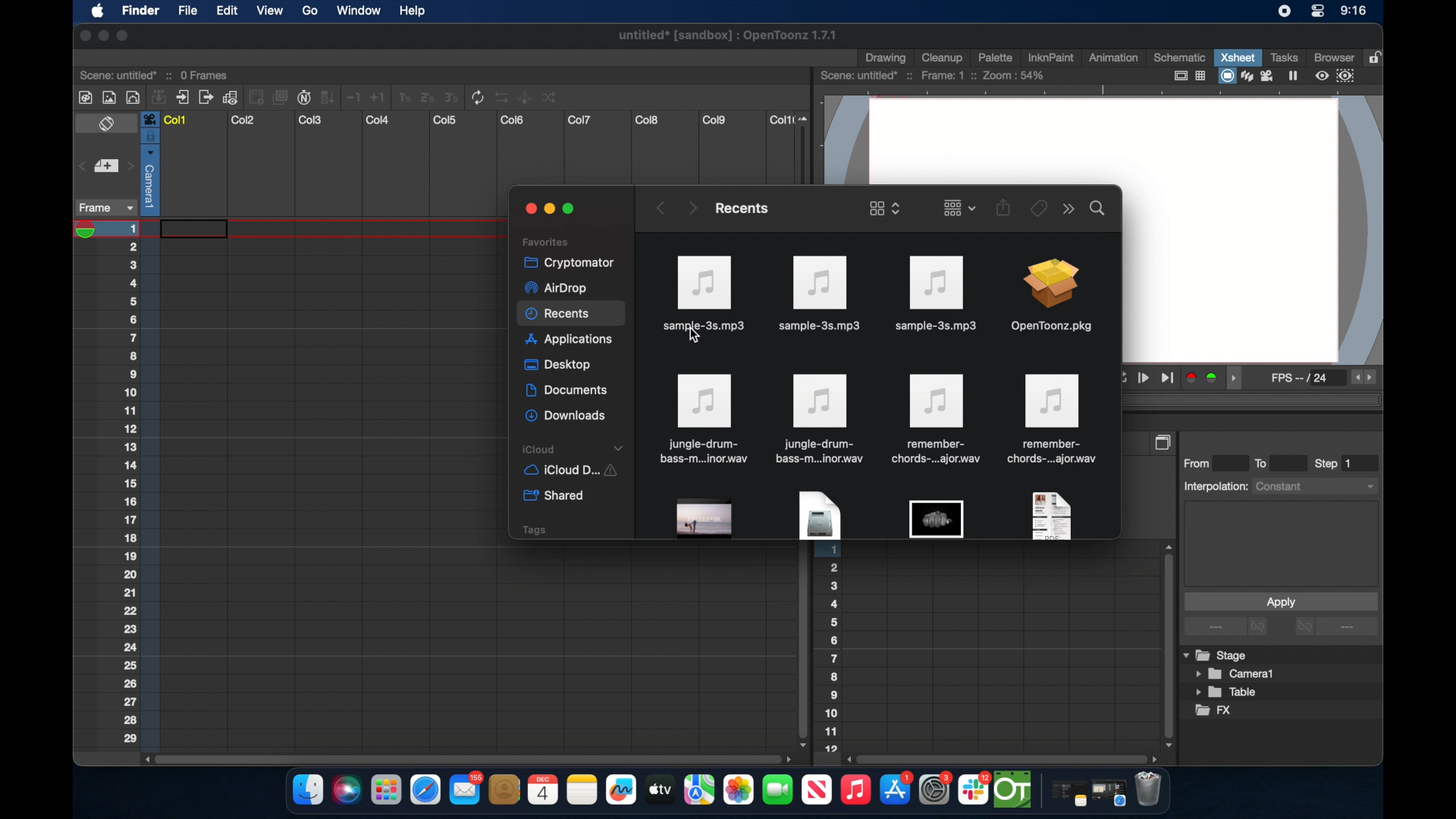  I want to click on iCloud drive, so click(570, 472).